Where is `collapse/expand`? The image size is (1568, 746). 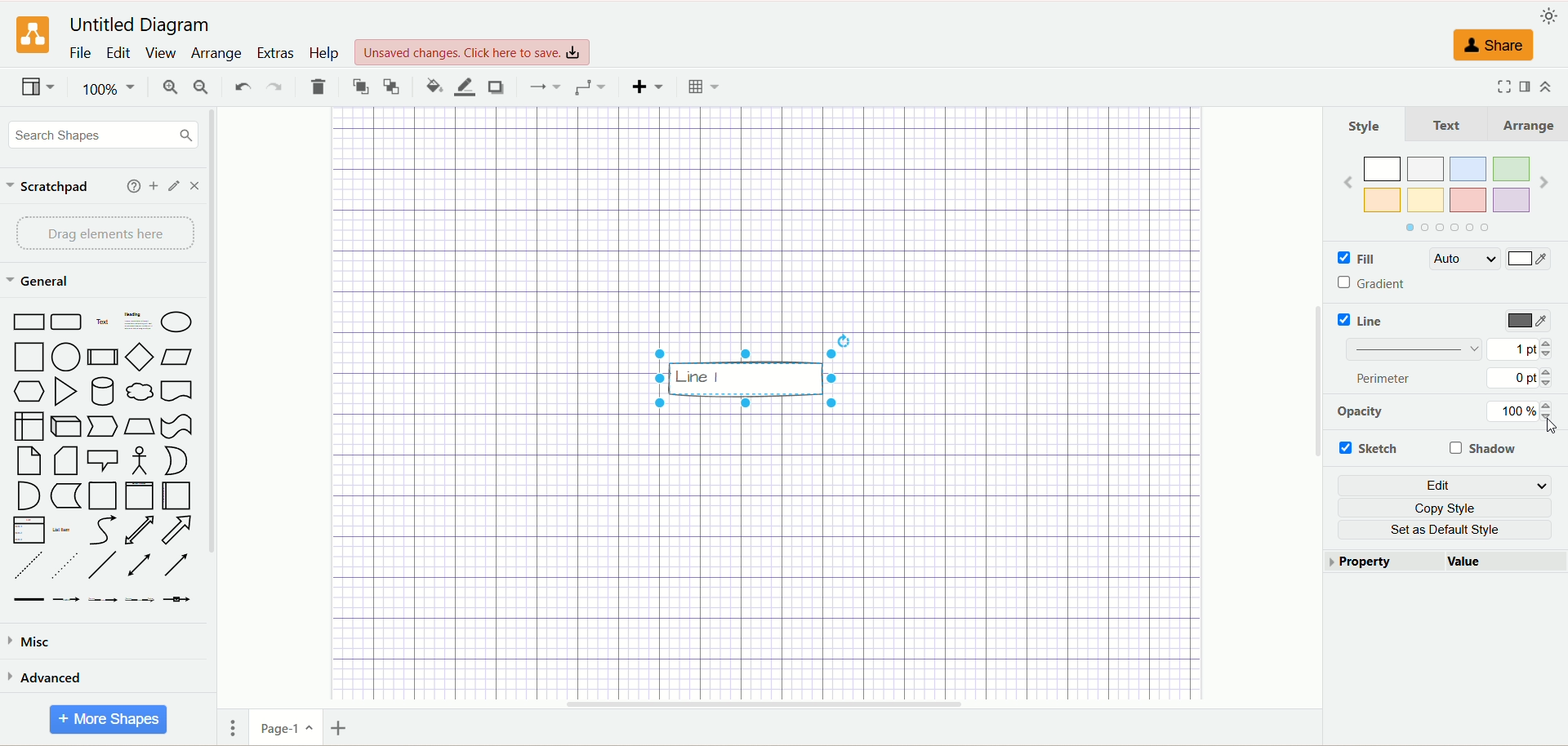 collapse/expand is located at coordinates (1552, 89).